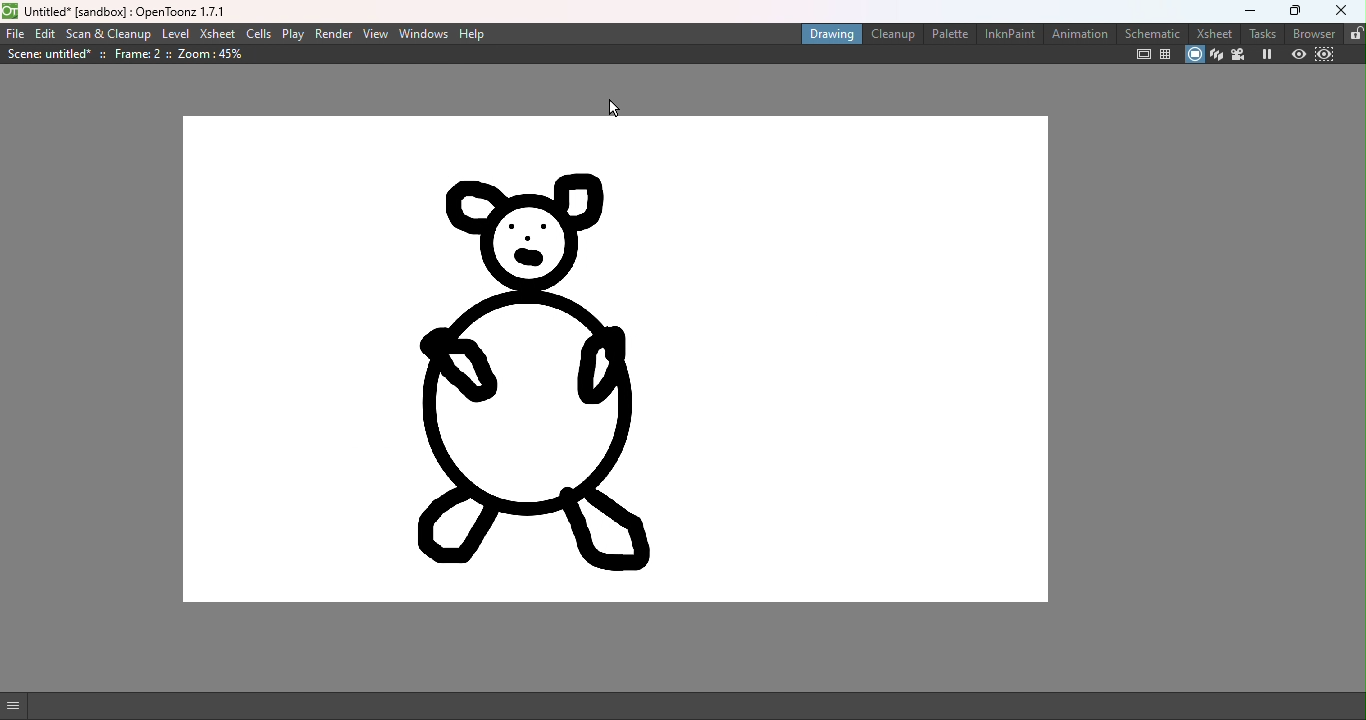 The height and width of the screenshot is (720, 1366). I want to click on Safe area, so click(1141, 56).